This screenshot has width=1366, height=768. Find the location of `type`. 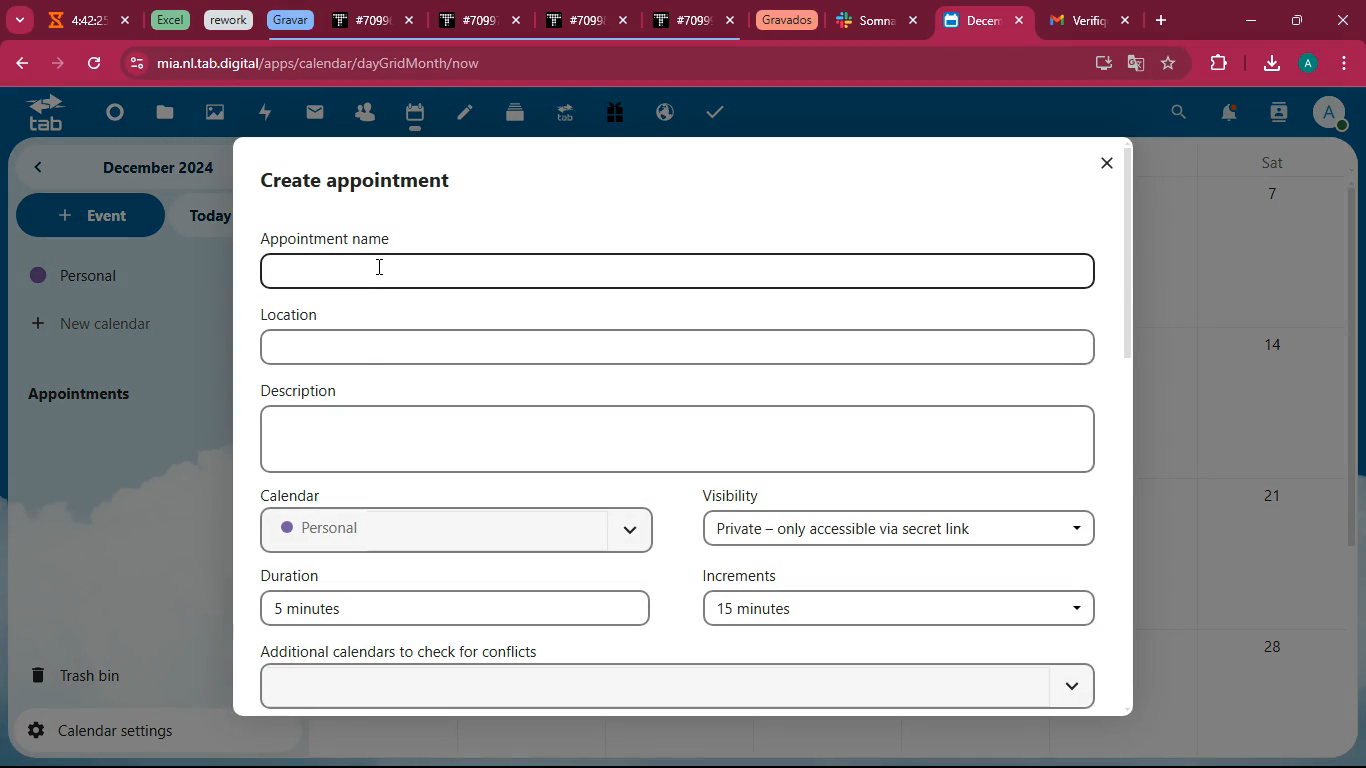

type is located at coordinates (683, 439).